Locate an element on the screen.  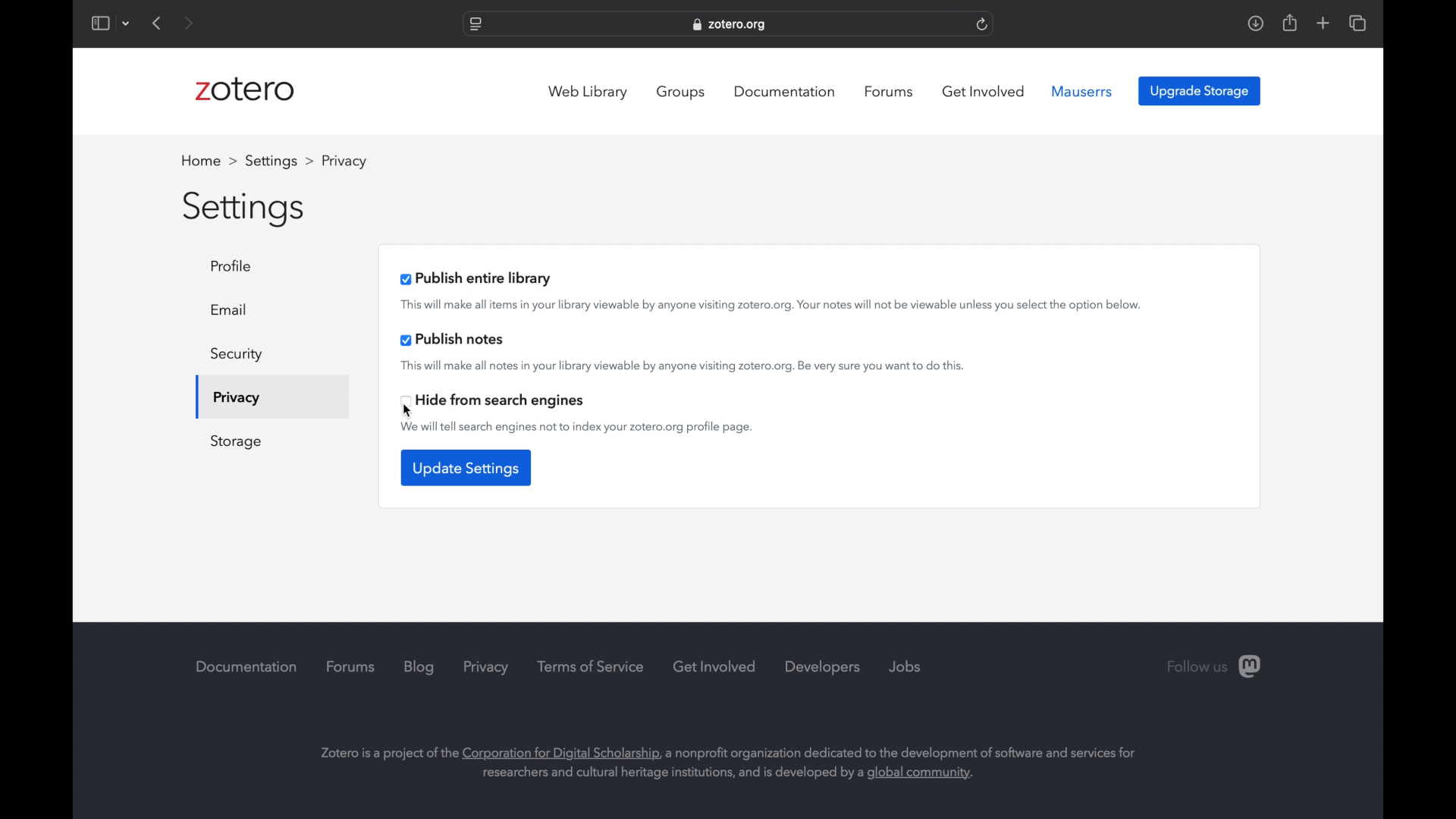
we will tell search engines not to index your zotero.org profile page is located at coordinates (578, 428).